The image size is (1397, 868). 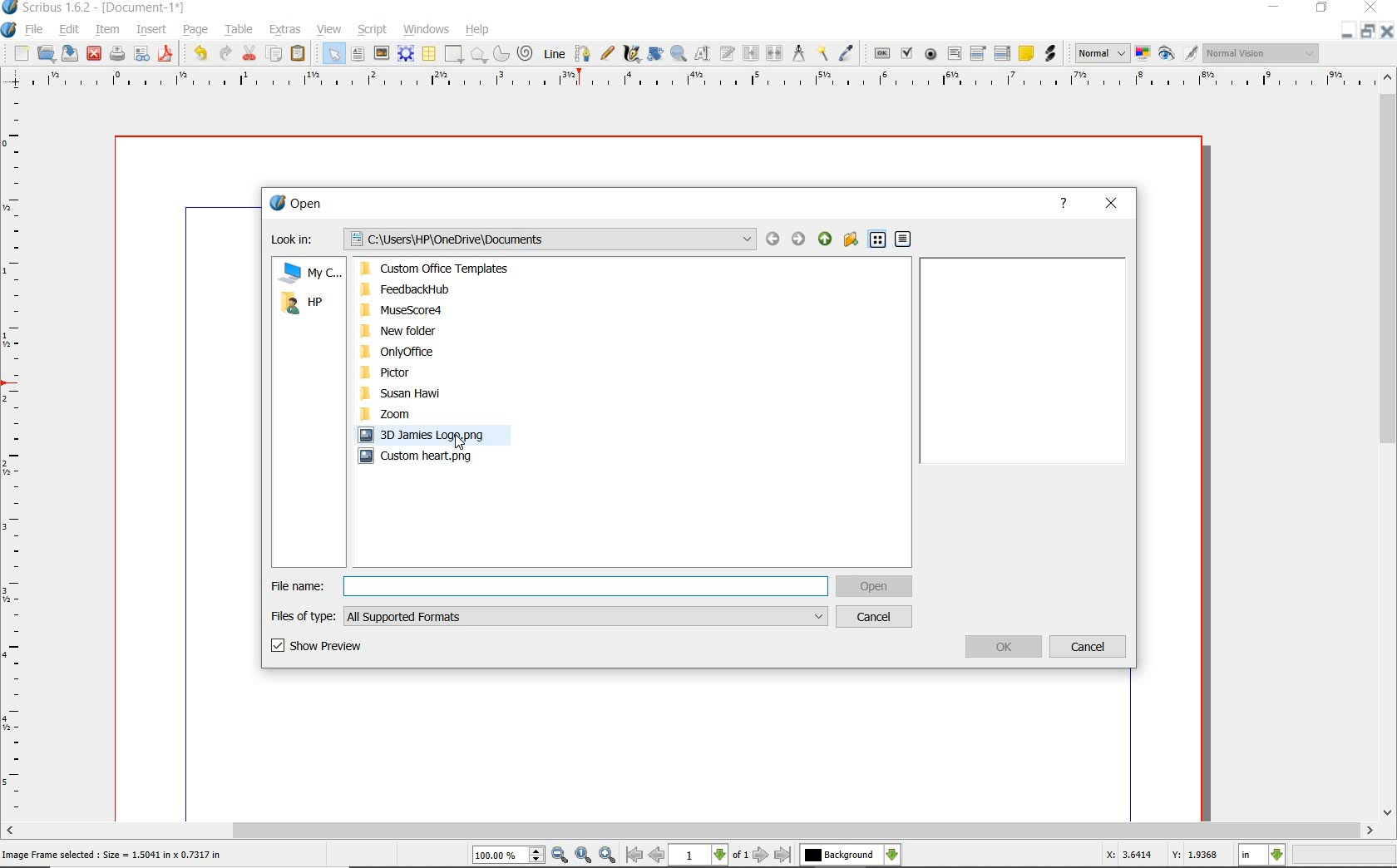 What do you see at coordinates (382, 54) in the screenshot?
I see `image` at bounding box center [382, 54].